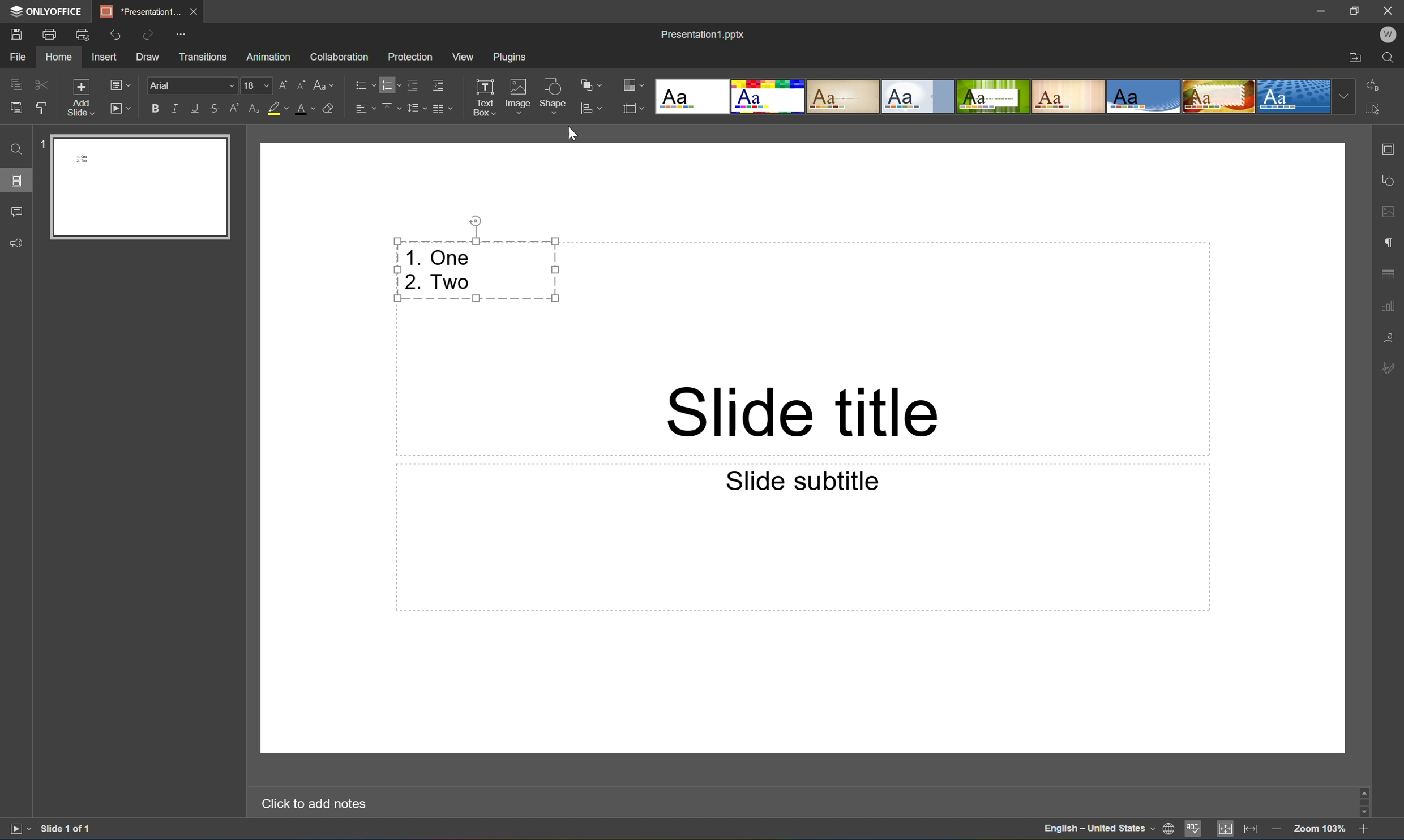 This screenshot has width=1404, height=840. I want to click on Bullets, so click(365, 82).